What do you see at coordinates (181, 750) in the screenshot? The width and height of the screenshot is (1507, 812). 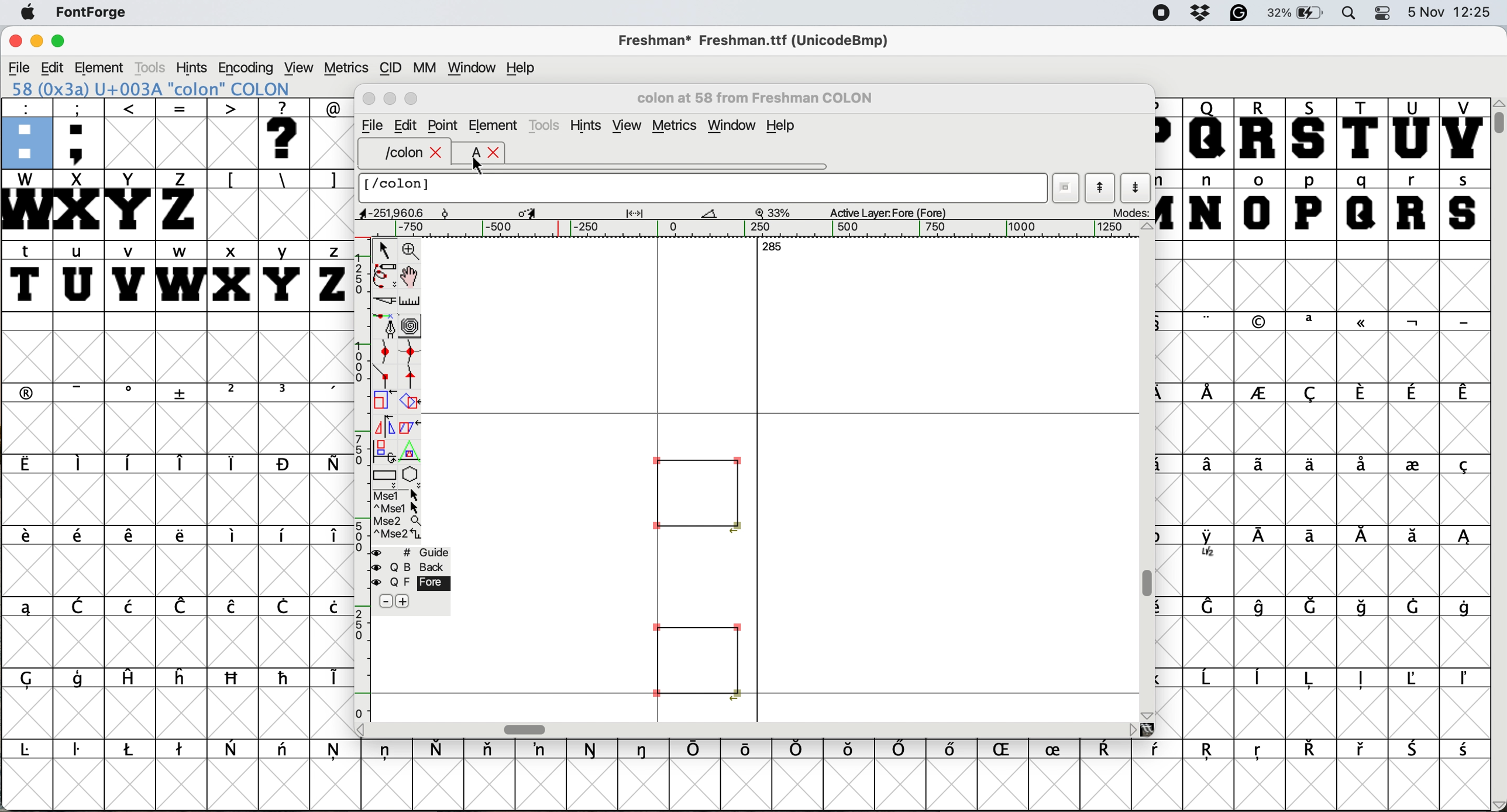 I see `symbol` at bounding box center [181, 750].